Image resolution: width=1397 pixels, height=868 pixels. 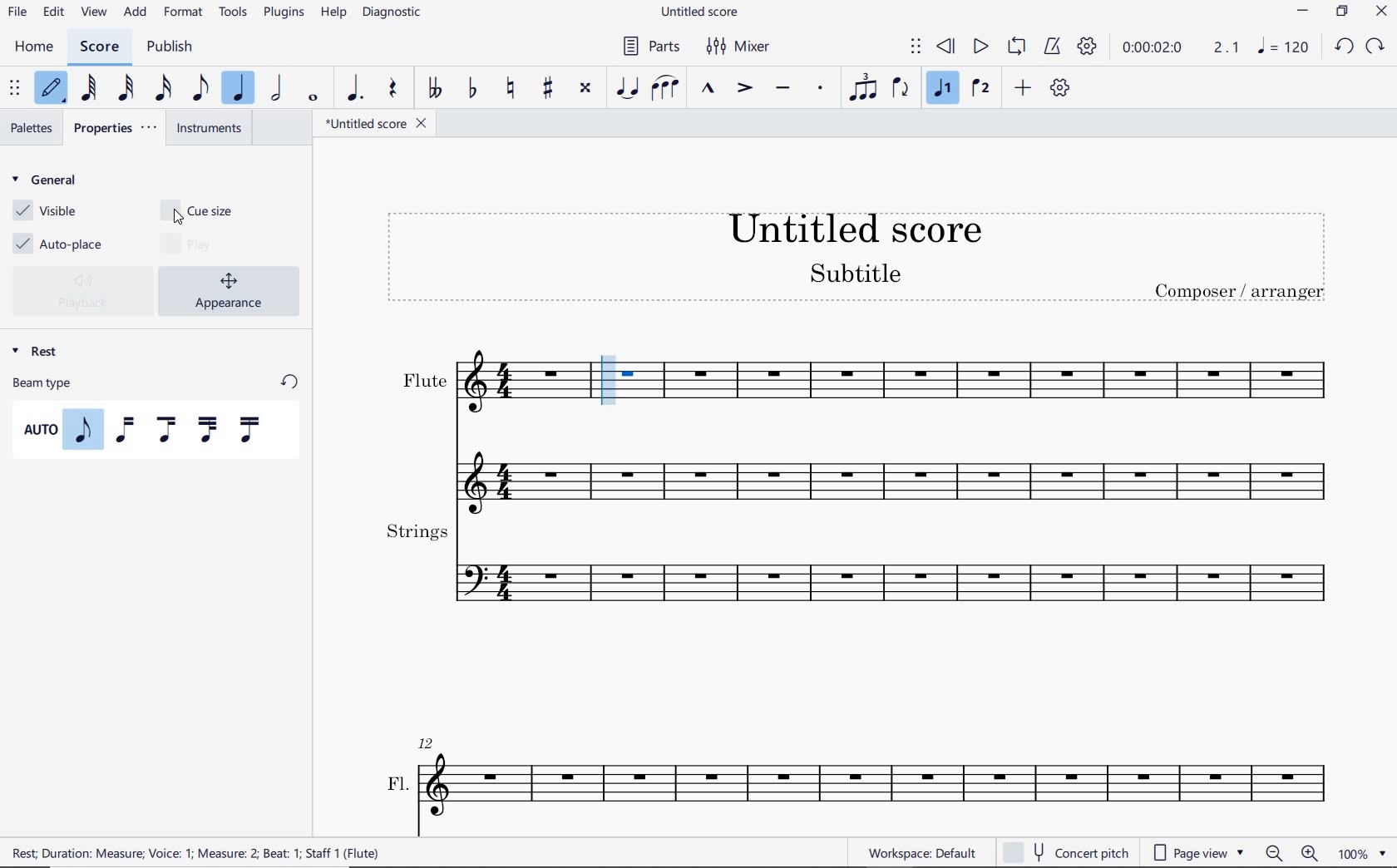 I want to click on INSTRUMENTS, so click(x=211, y=130).